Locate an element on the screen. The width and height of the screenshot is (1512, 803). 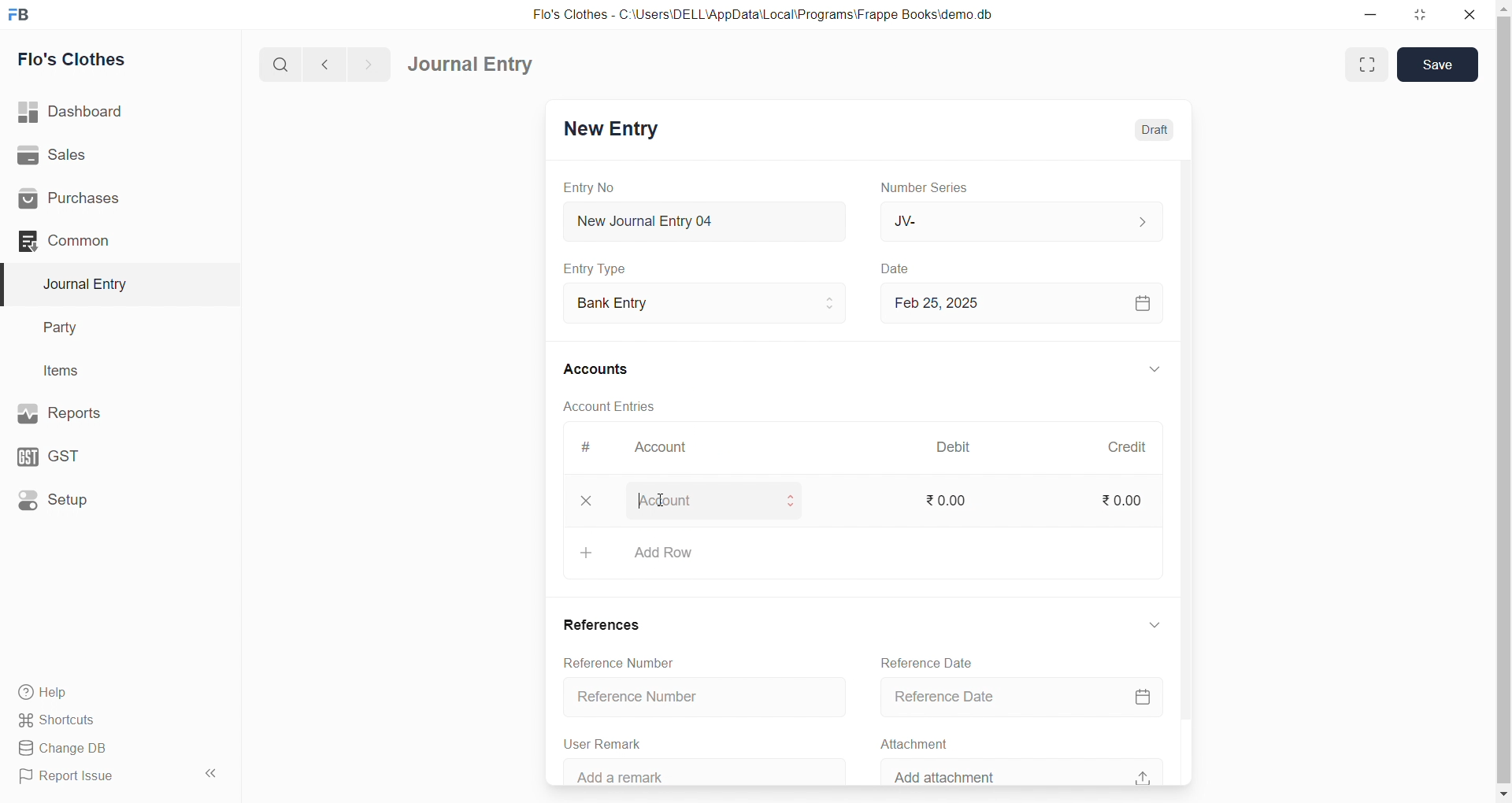
close is located at coordinates (1473, 14).